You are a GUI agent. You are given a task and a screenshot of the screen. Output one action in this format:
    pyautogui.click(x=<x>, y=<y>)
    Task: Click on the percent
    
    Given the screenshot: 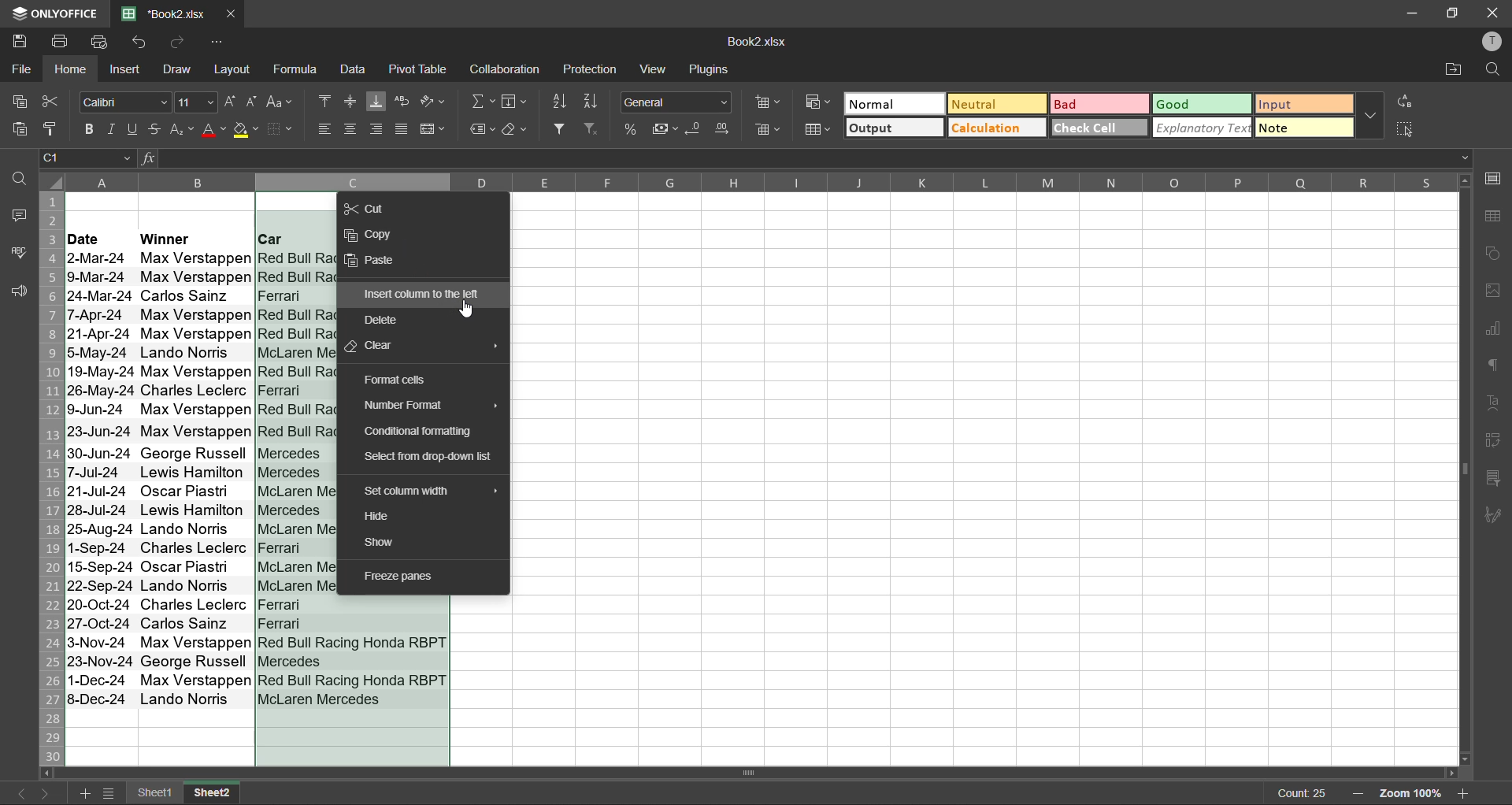 What is the action you would take?
    pyautogui.click(x=632, y=130)
    